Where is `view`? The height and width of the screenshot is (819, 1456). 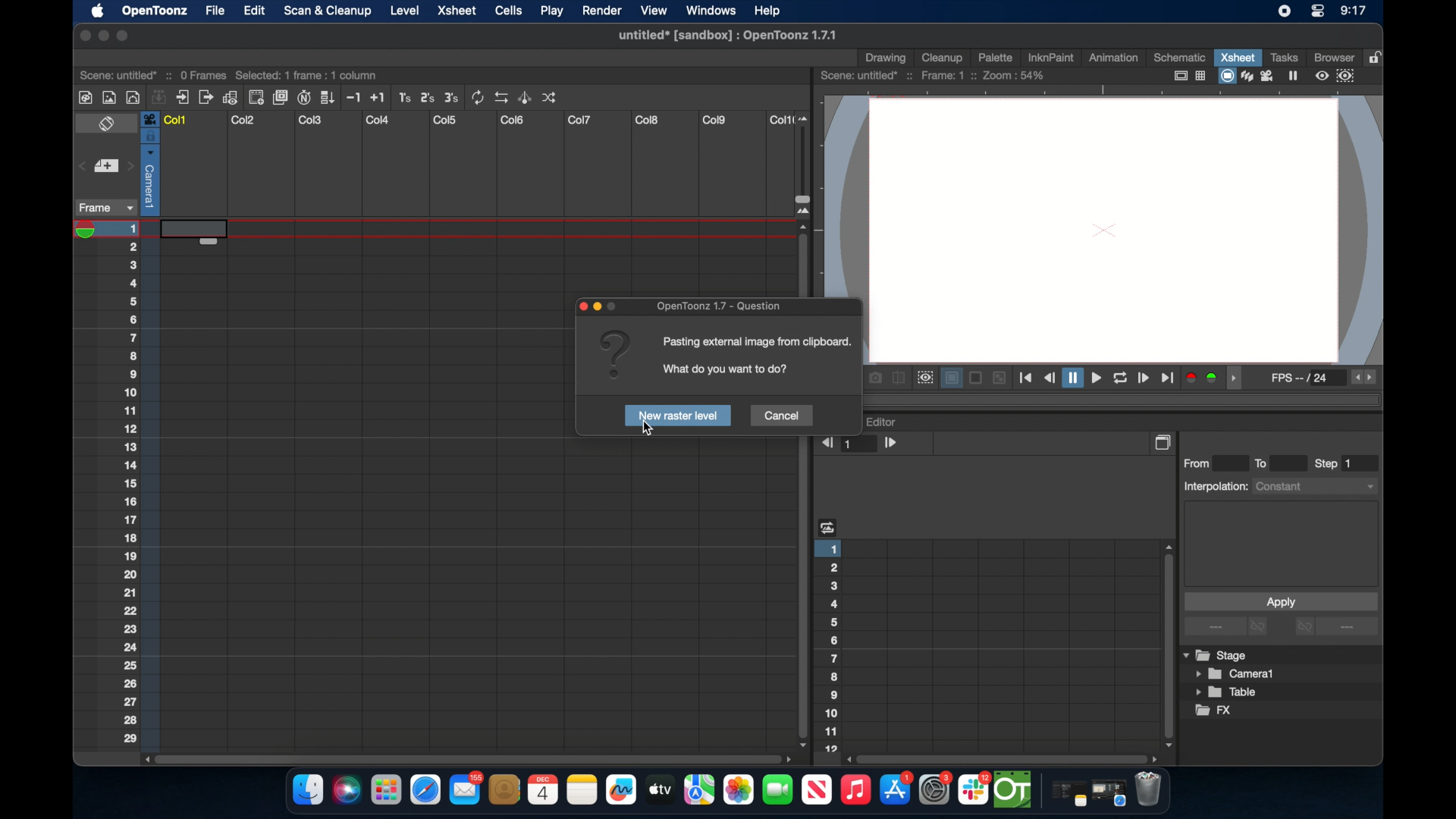 view is located at coordinates (651, 11).